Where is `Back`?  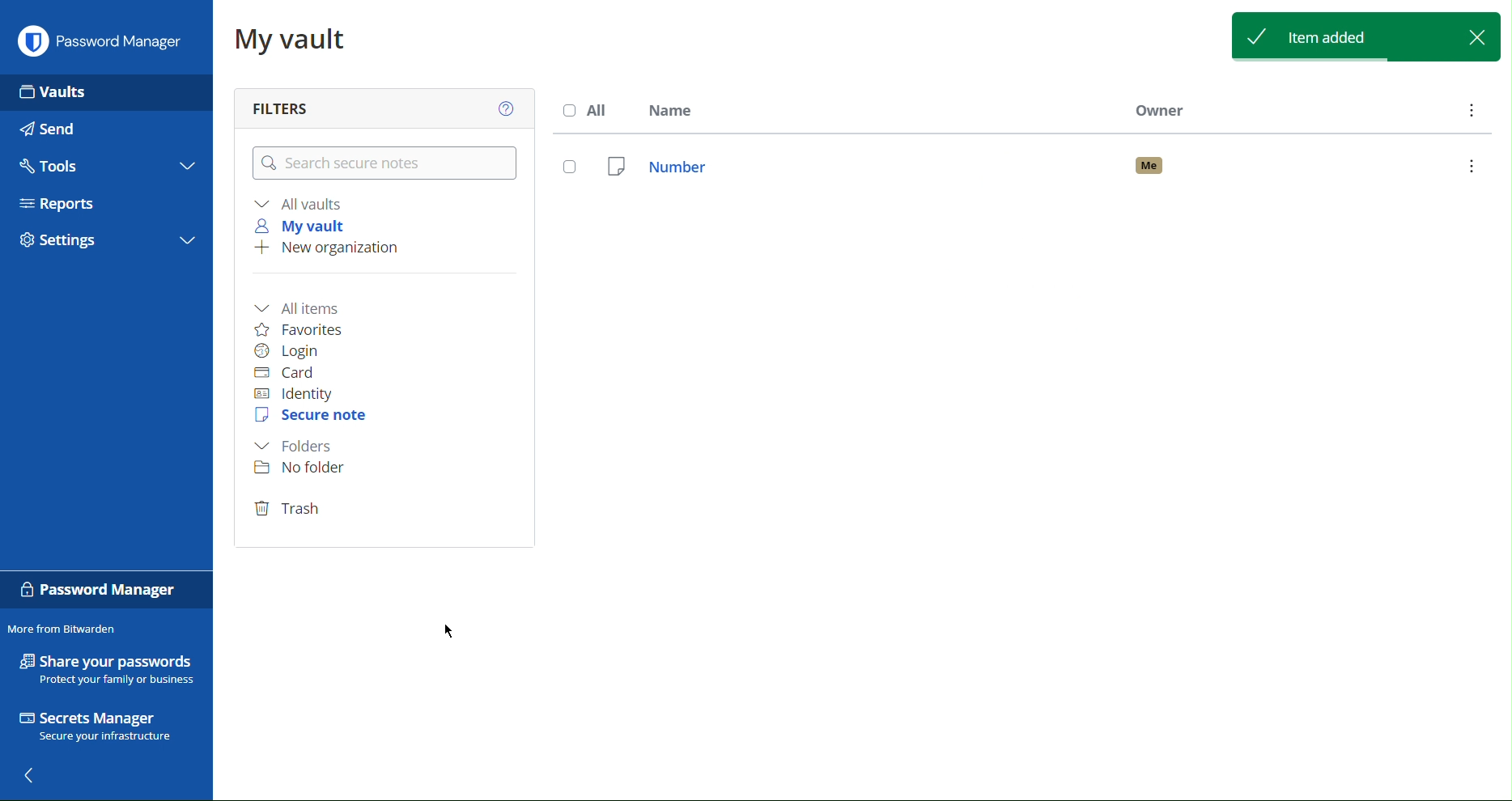
Back is located at coordinates (35, 778).